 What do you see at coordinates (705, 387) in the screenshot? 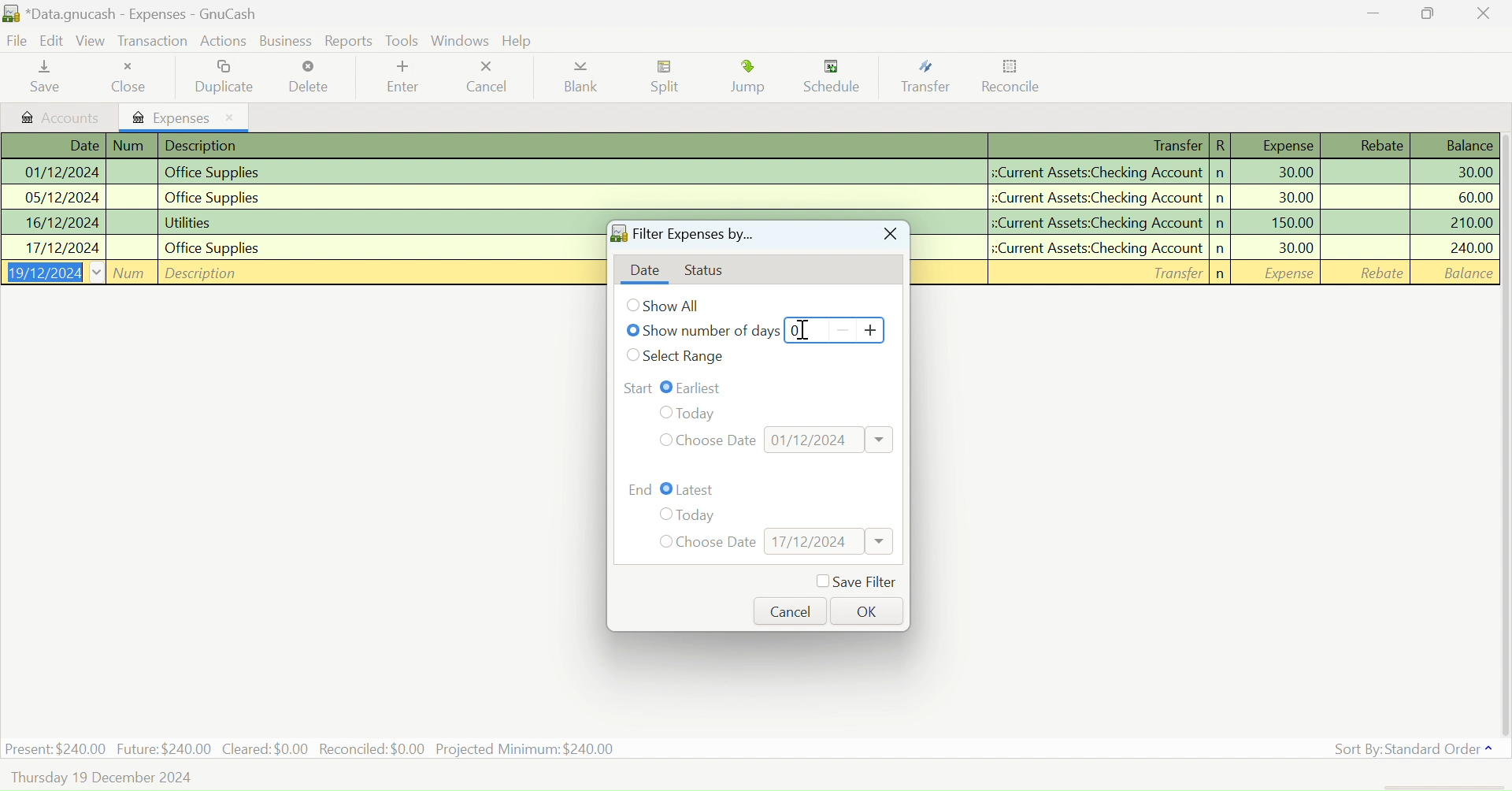
I see `Earliest` at bounding box center [705, 387].